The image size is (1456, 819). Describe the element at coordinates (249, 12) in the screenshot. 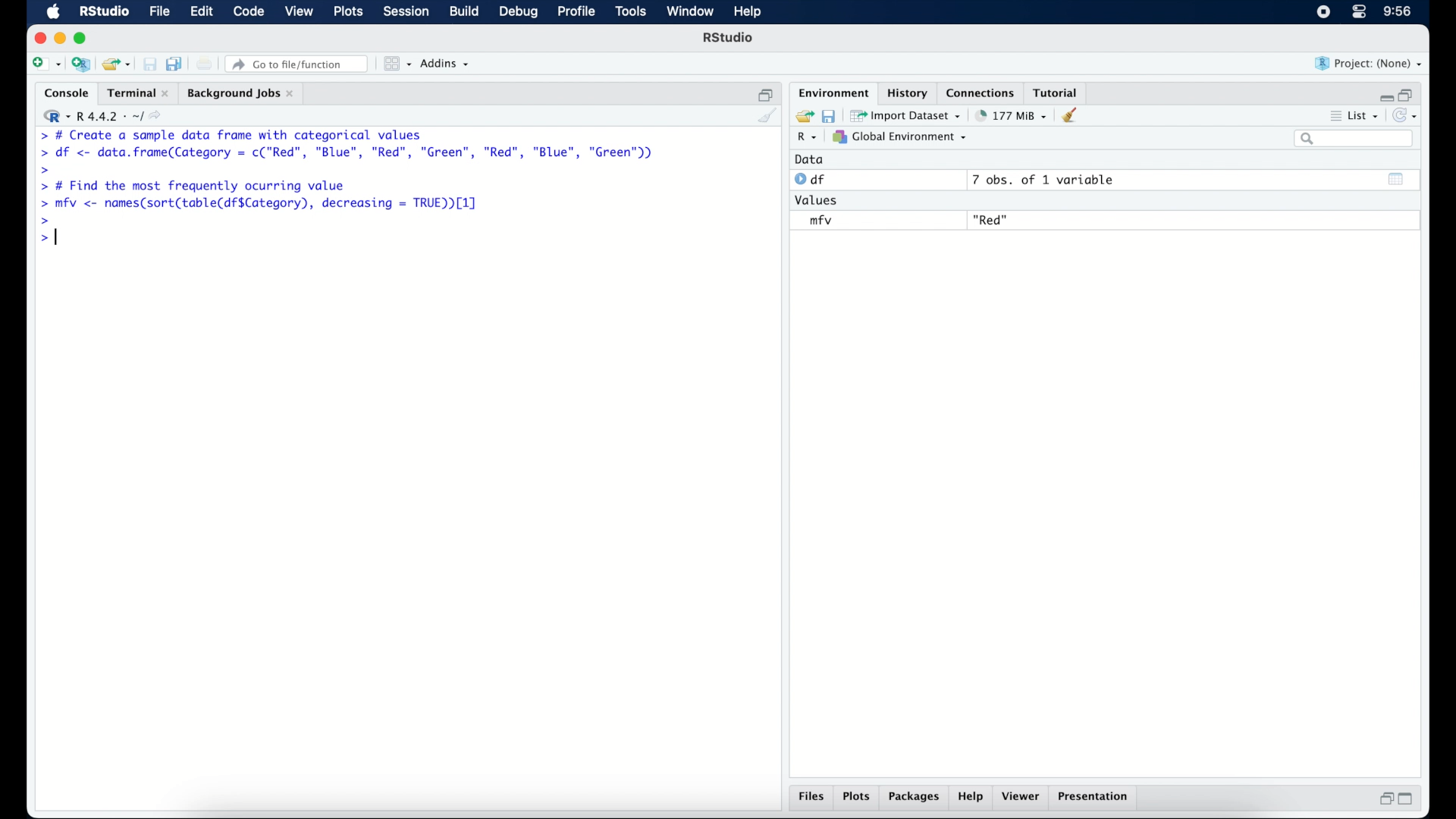

I see `code` at that location.